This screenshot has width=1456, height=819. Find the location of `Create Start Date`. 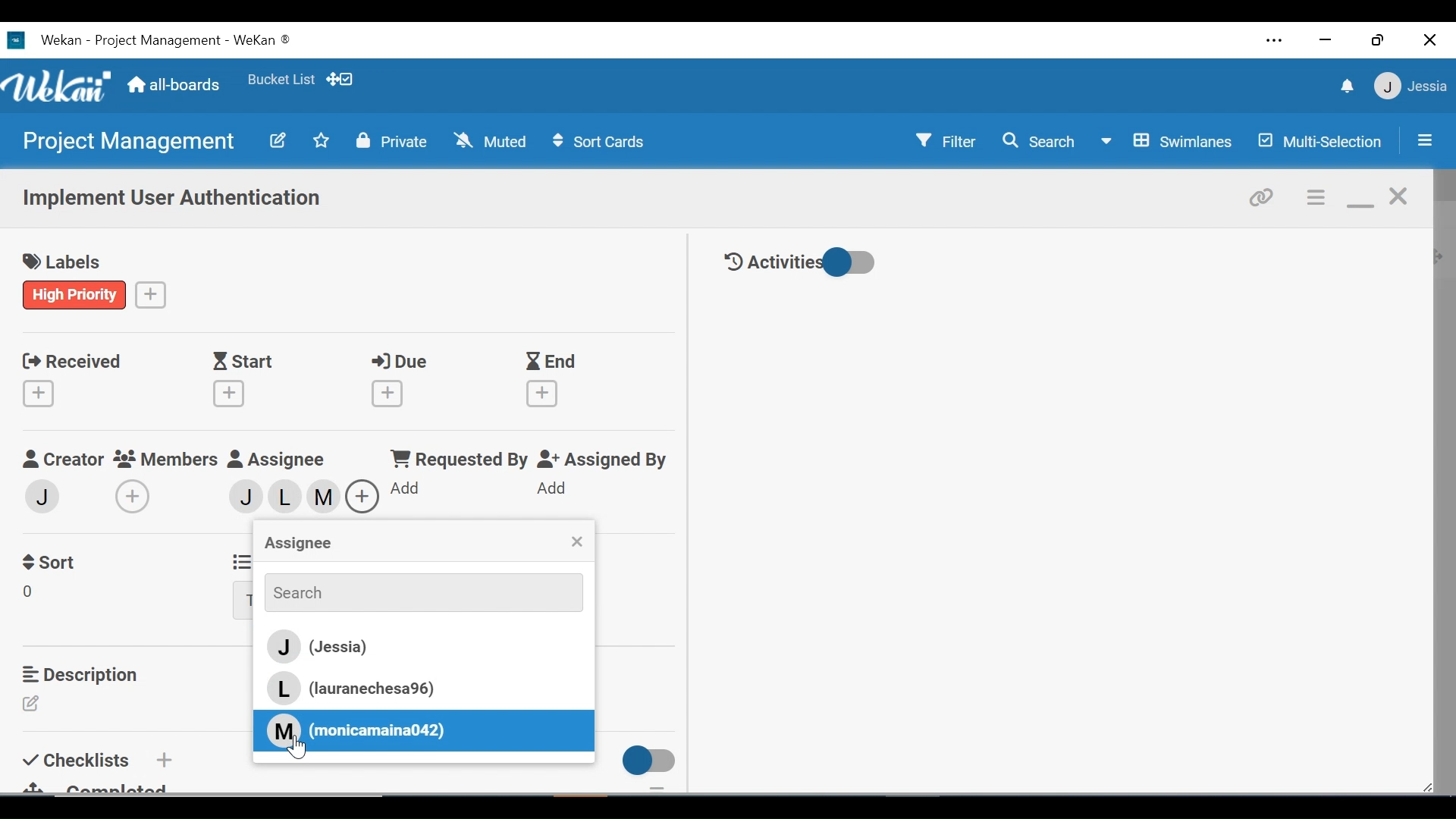

Create Start Date is located at coordinates (229, 394).